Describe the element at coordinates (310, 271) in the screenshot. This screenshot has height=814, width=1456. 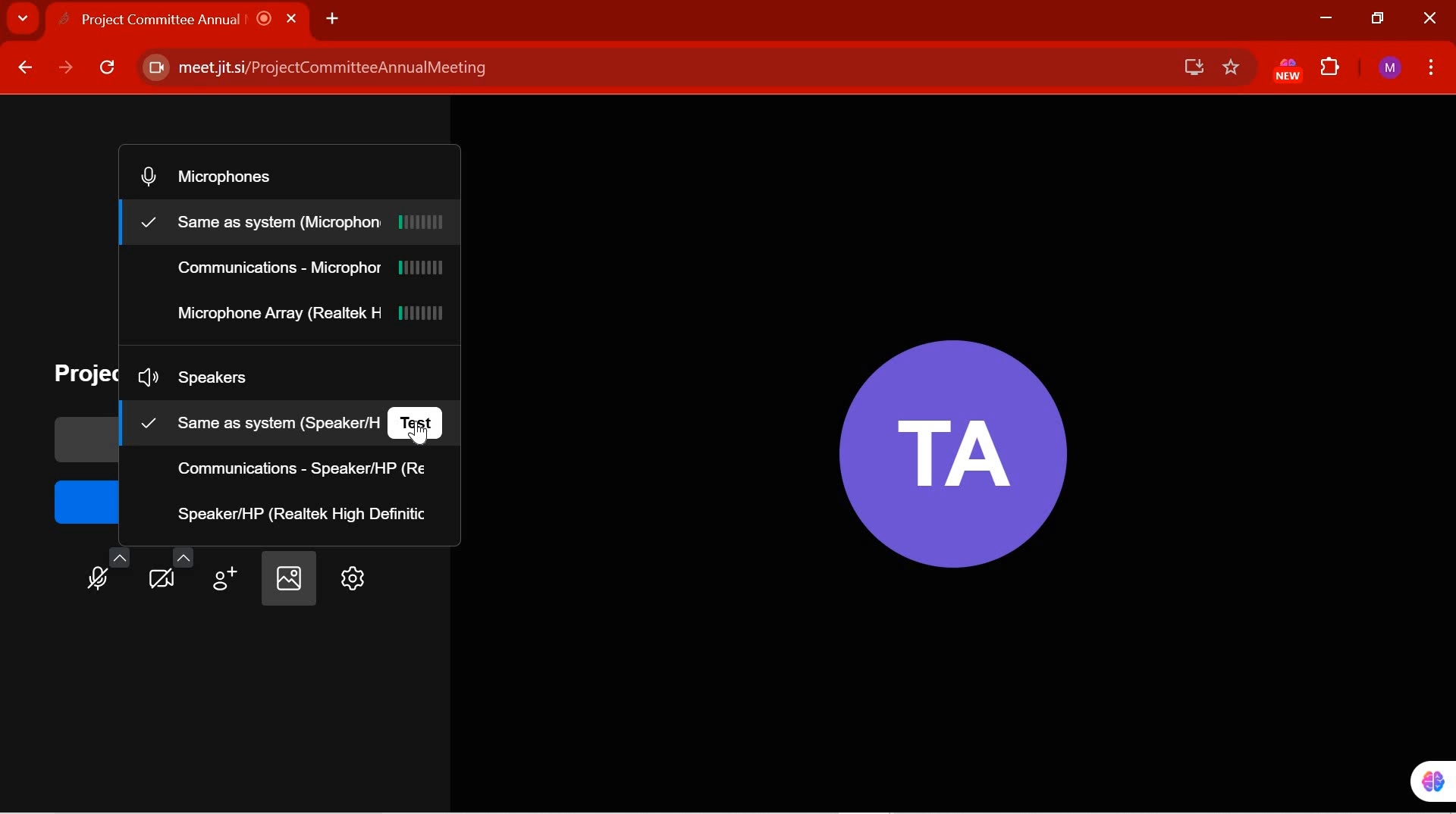
I see `communications - Microphone` at that location.